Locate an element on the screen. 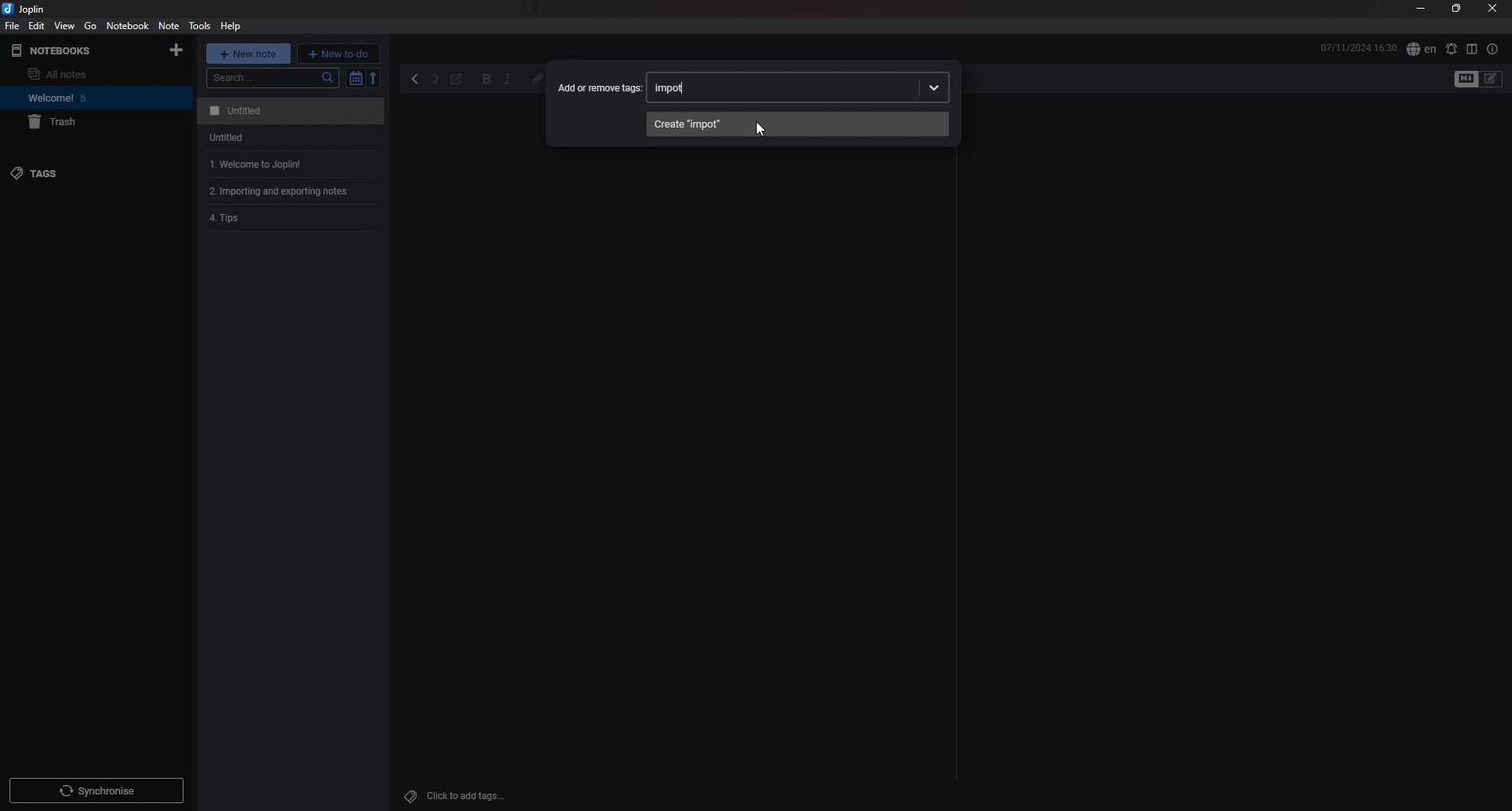  input is located at coordinates (674, 88).